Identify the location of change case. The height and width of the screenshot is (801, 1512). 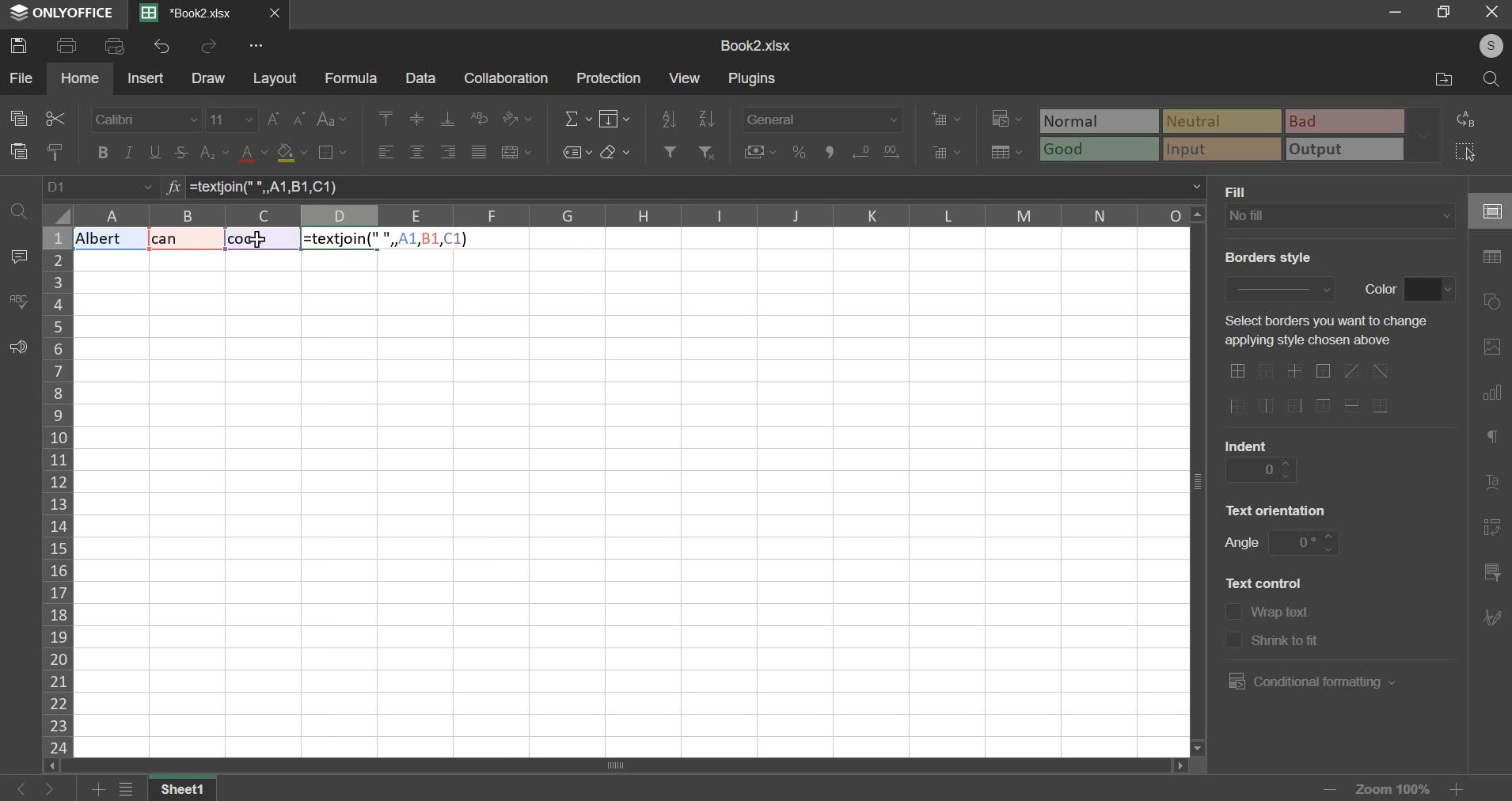
(331, 120).